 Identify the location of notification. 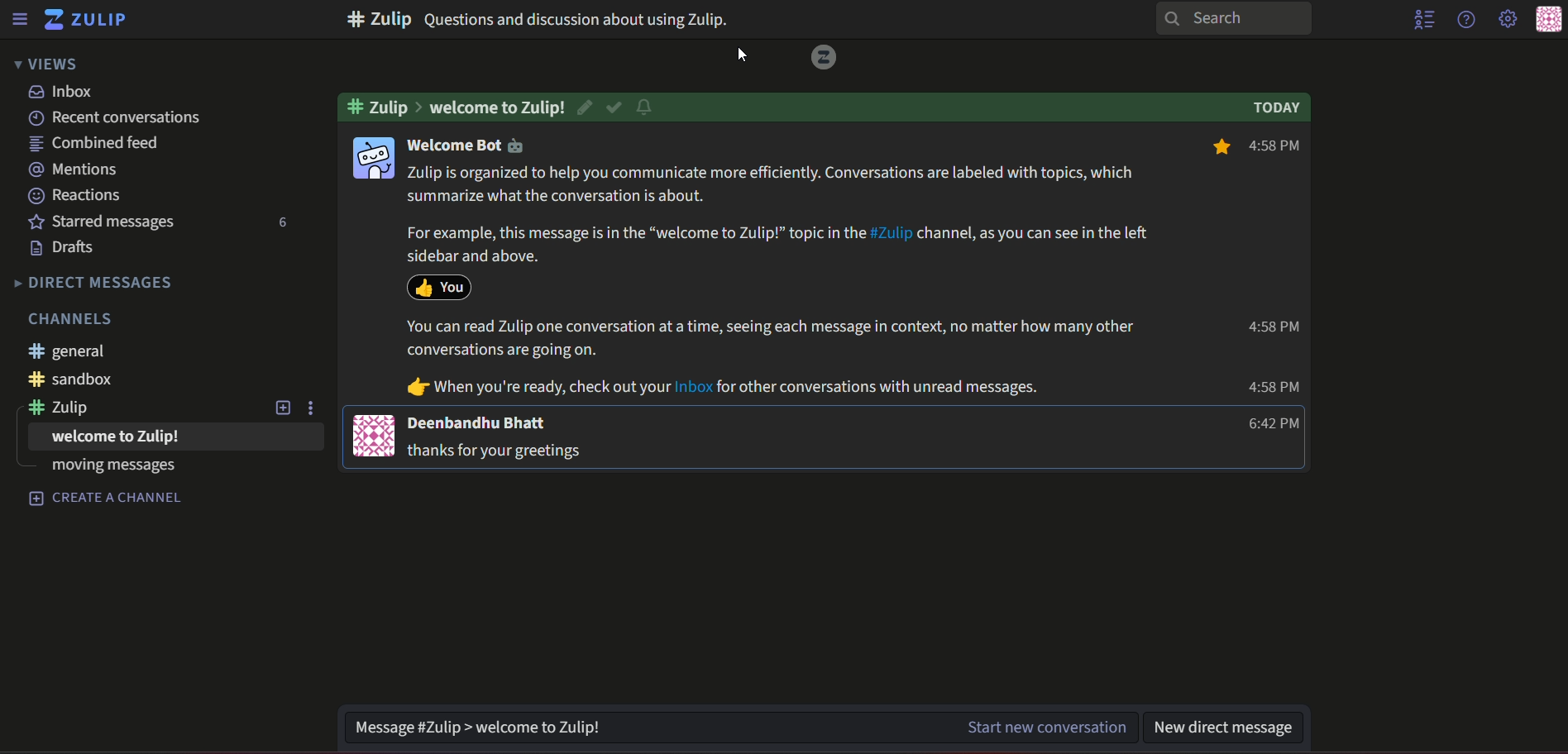
(649, 106).